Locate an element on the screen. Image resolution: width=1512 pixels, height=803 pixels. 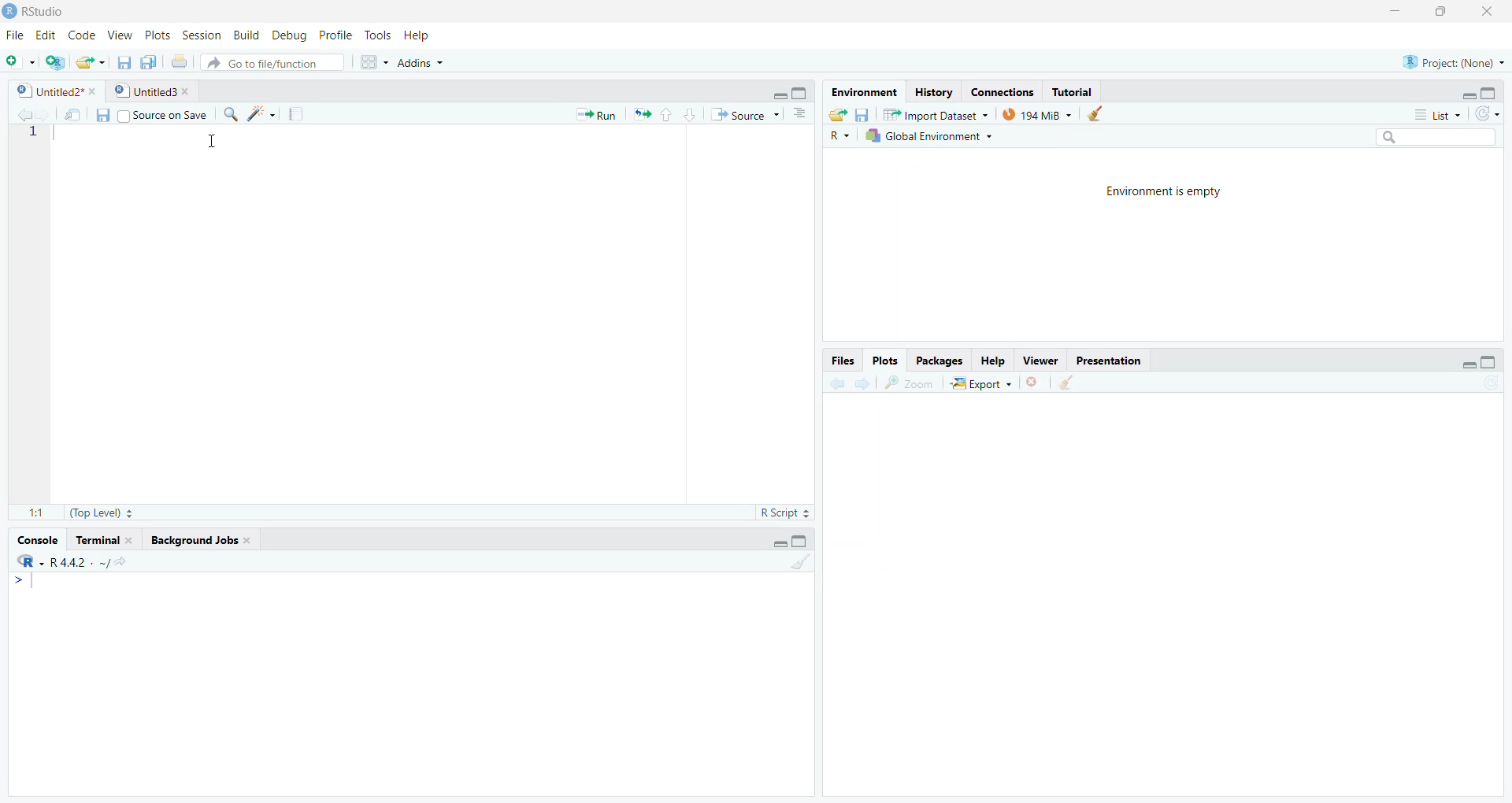
1.1 is located at coordinates (33, 513).